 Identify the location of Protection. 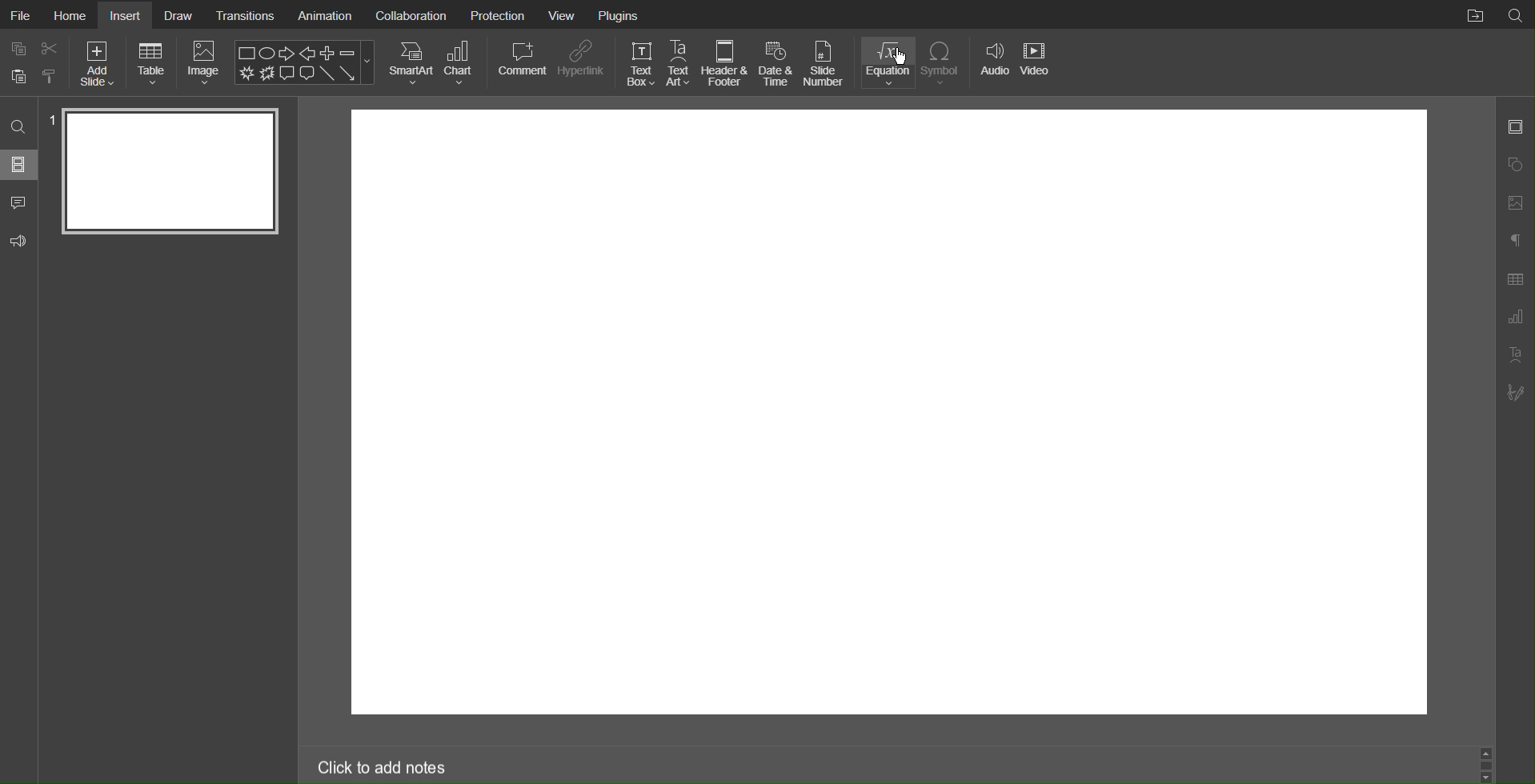
(496, 14).